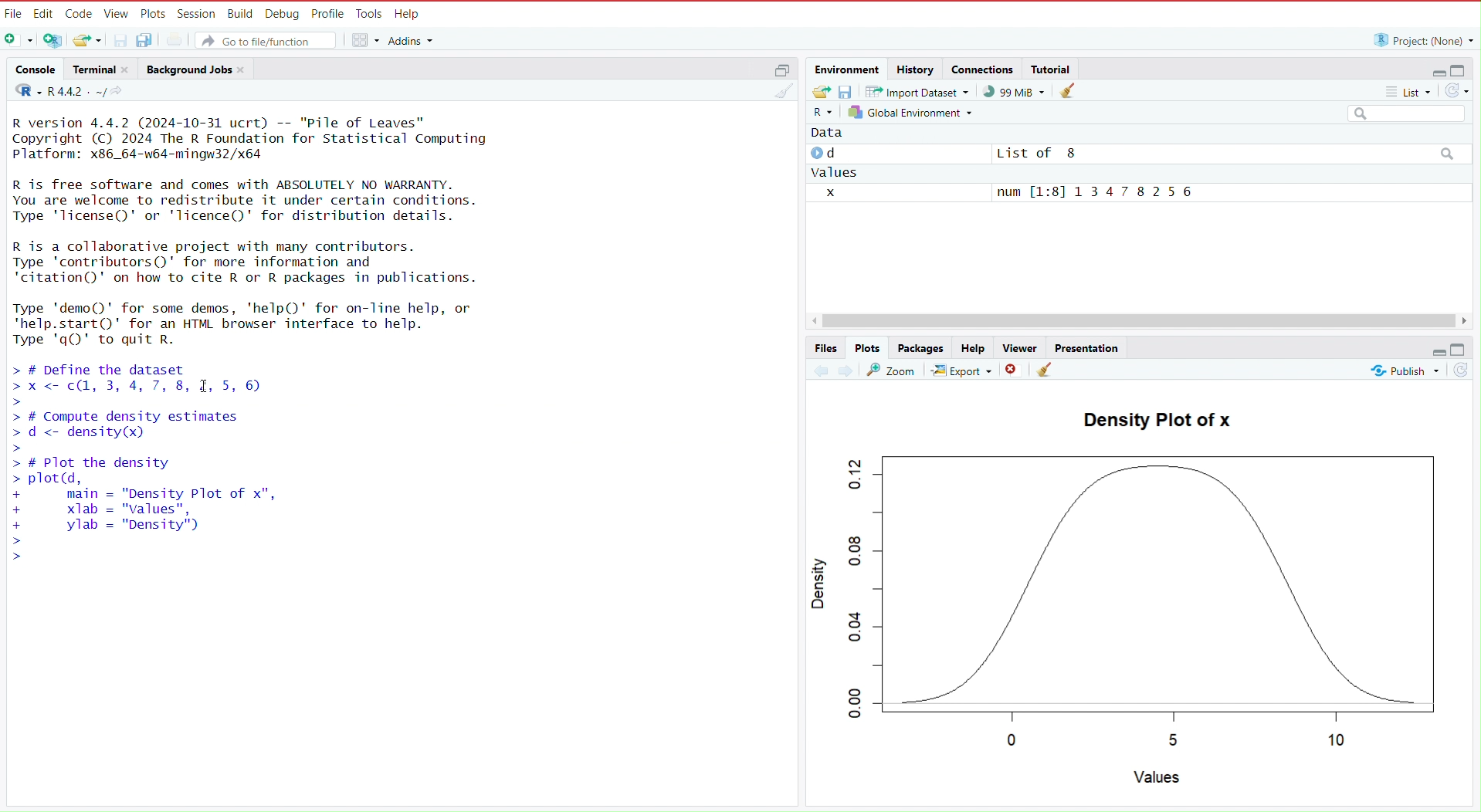 The image size is (1481, 812). Describe the element at coordinates (817, 370) in the screenshot. I see `previous plot` at that location.